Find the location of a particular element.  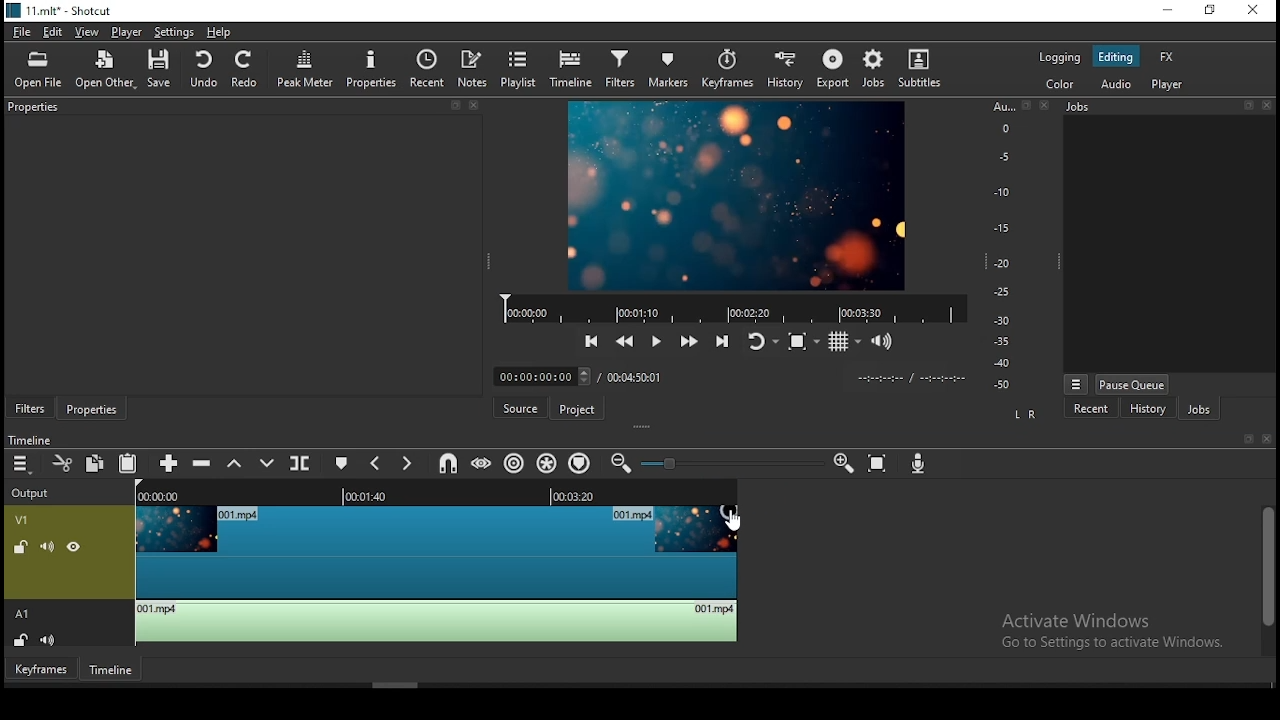

copy is located at coordinates (96, 465).